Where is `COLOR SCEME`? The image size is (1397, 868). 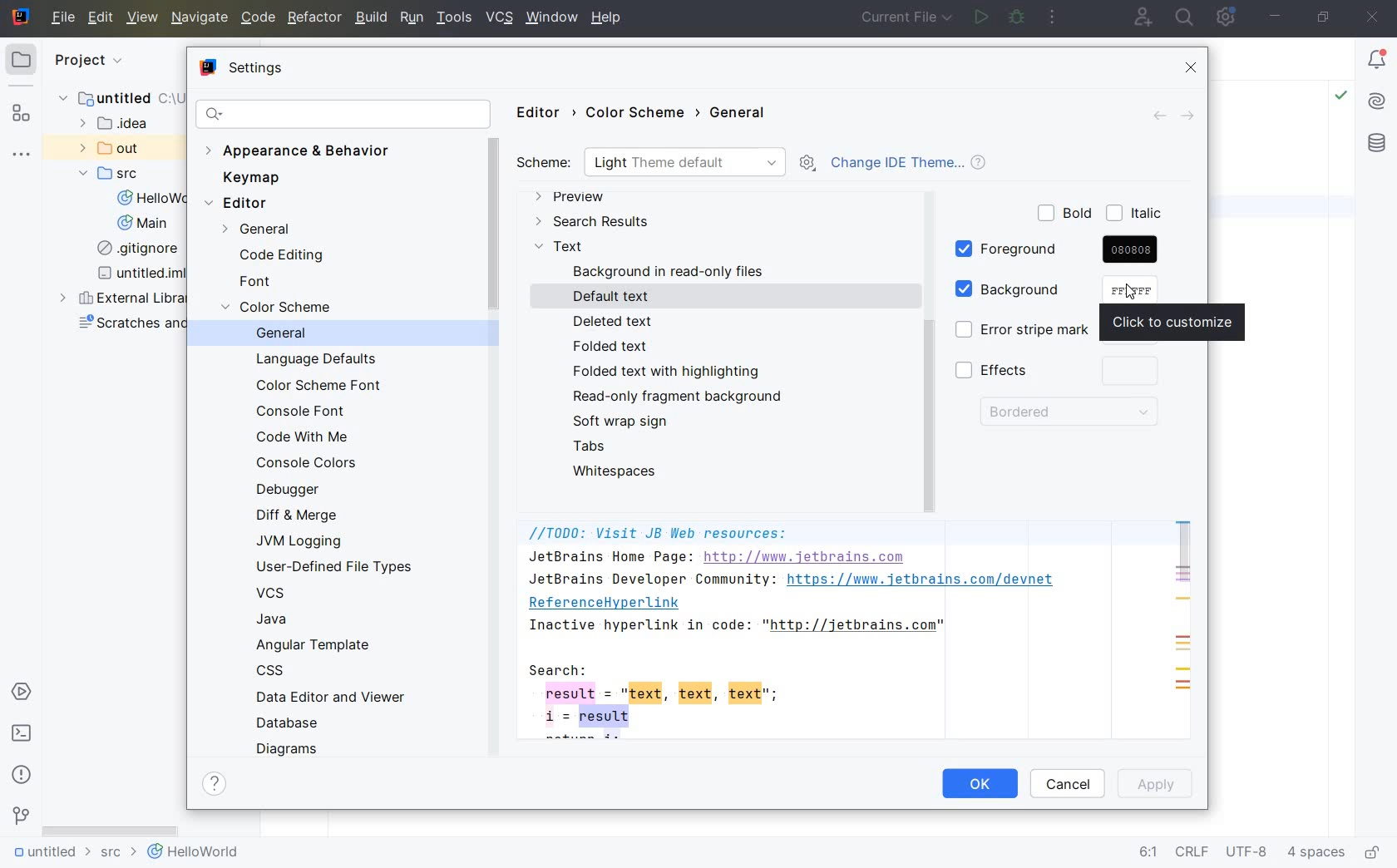 COLOR SCEME is located at coordinates (284, 308).